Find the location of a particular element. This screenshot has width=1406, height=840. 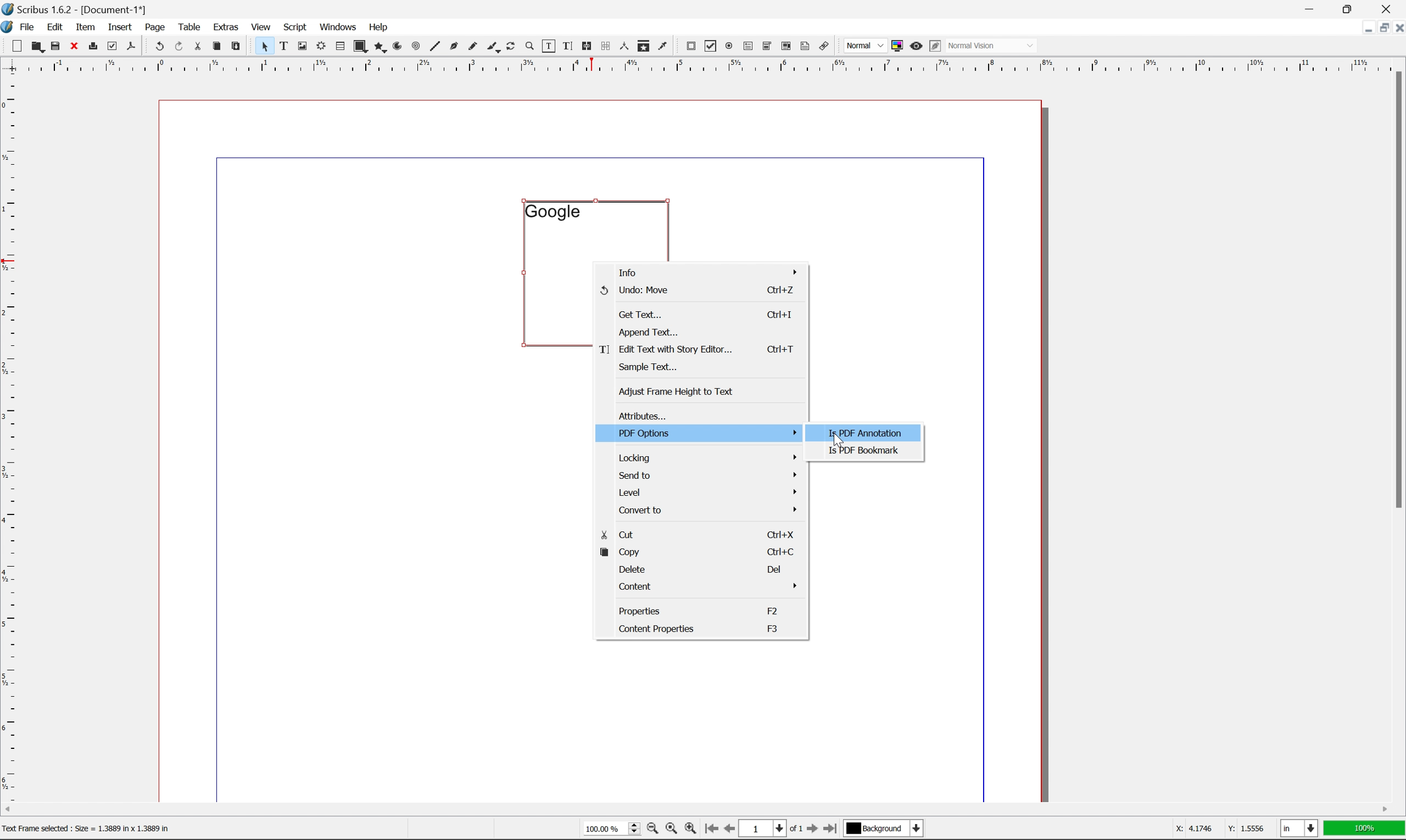

get text... is located at coordinates (642, 314).